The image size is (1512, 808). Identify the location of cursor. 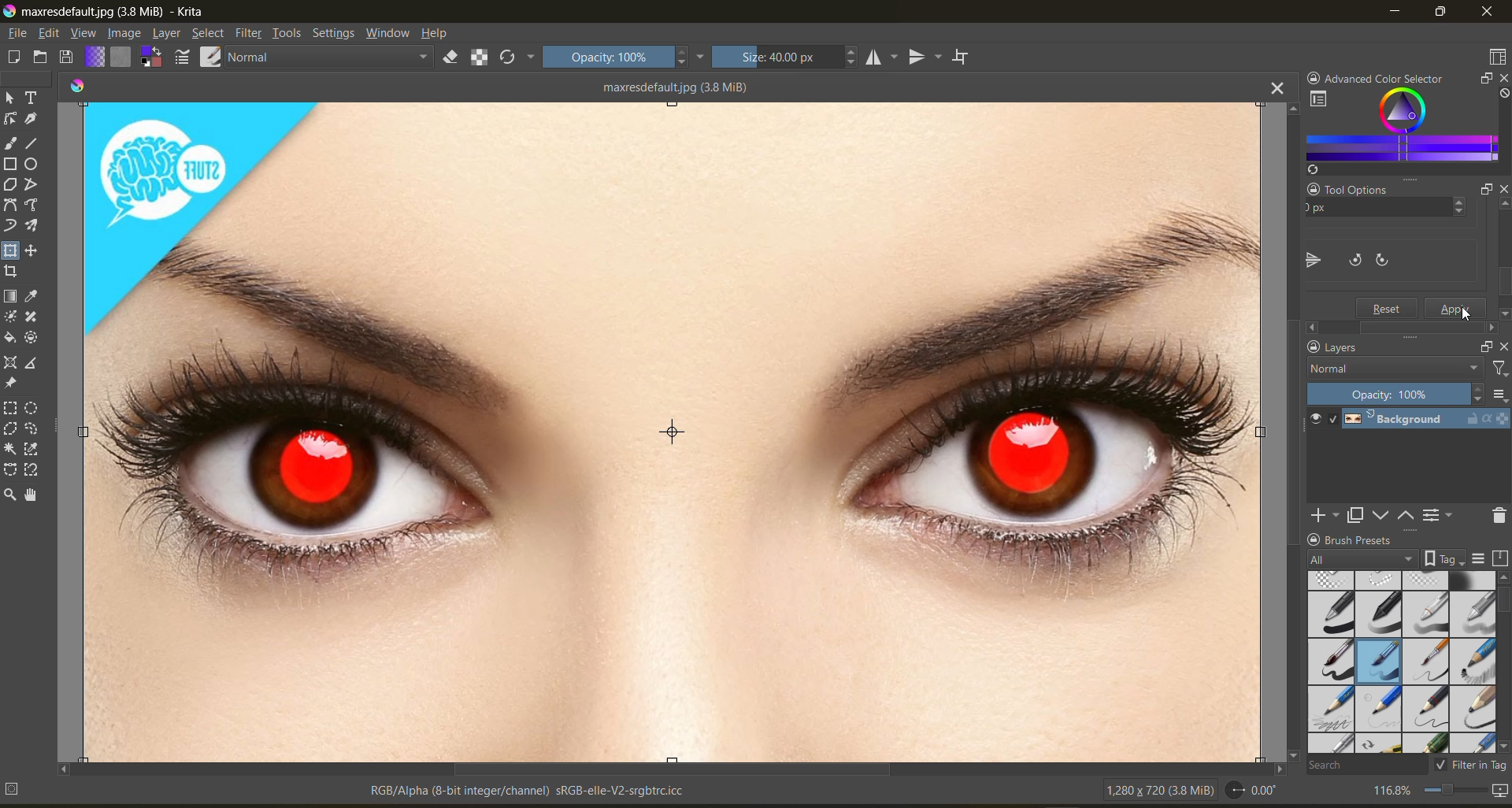
(1467, 315).